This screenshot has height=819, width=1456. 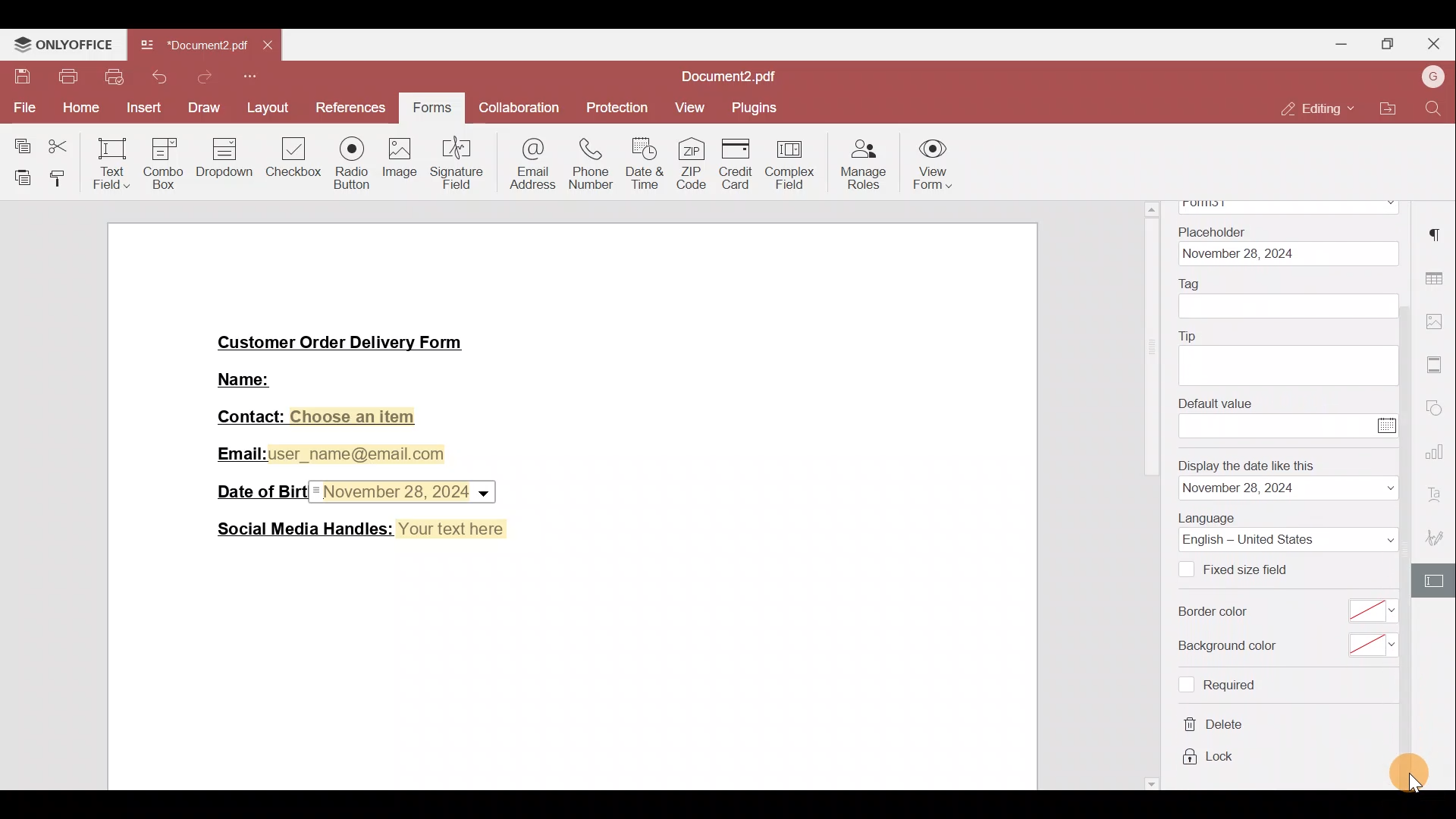 What do you see at coordinates (1231, 645) in the screenshot?
I see `Background color` at bounding box center [1231, 645].